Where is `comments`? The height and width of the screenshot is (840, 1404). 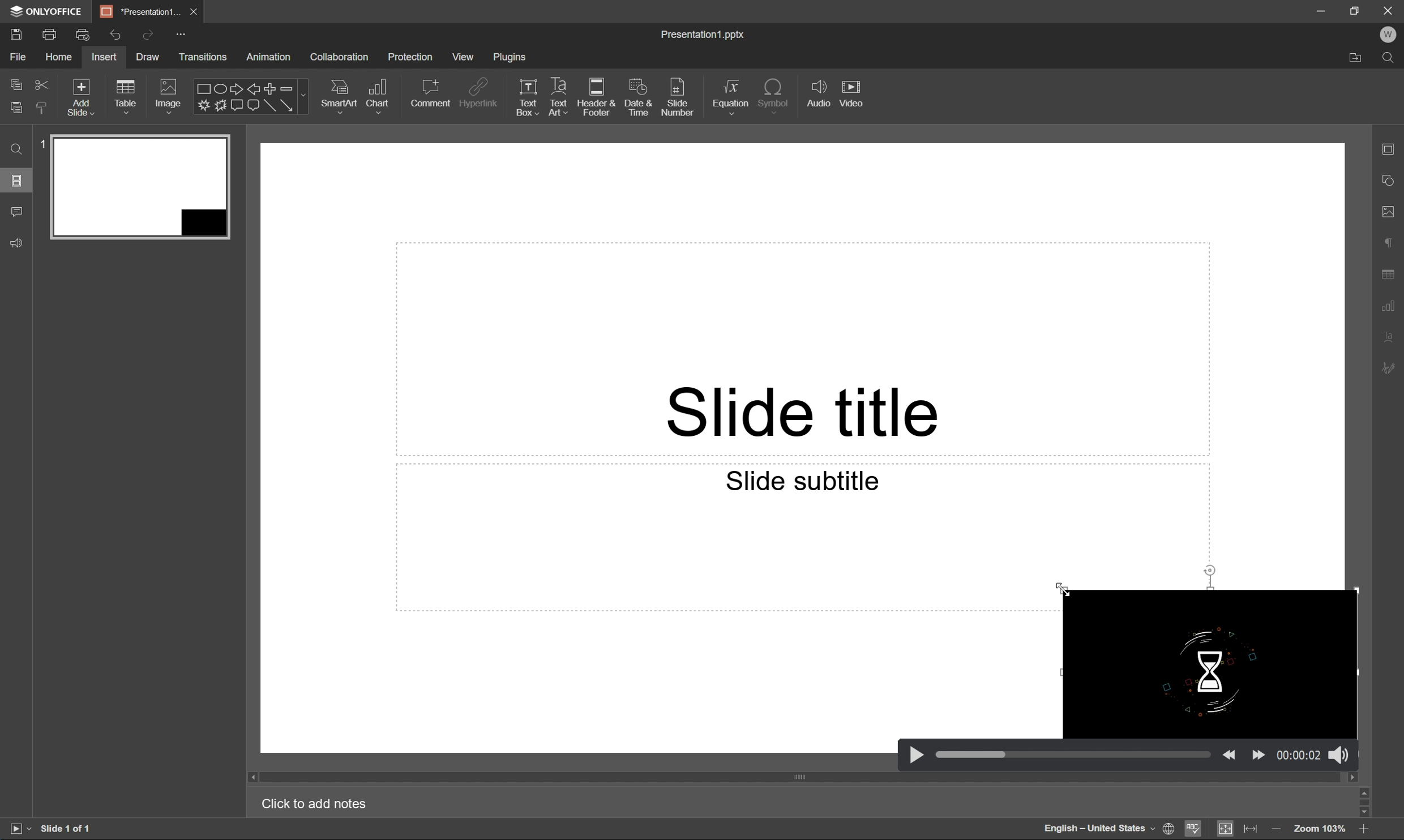 comments is located at coordinates (19, 212).